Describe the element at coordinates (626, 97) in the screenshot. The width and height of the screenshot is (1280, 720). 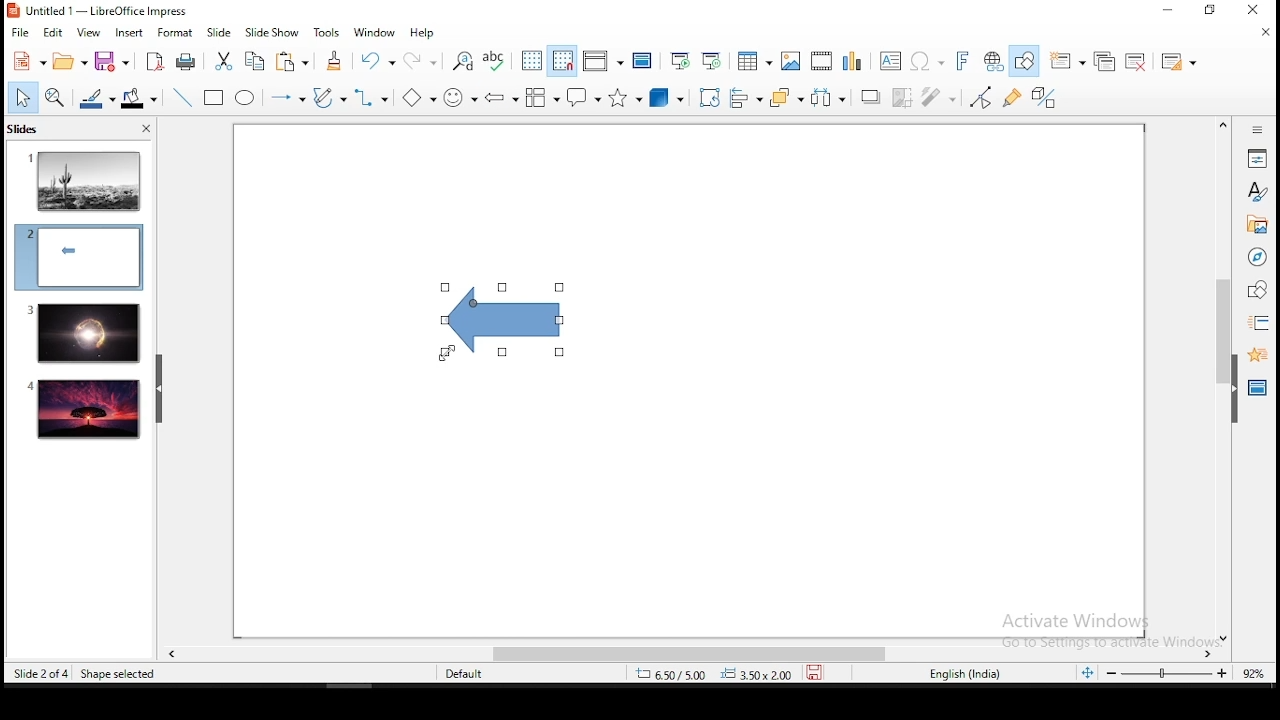
I see `stars and banners` at that location.